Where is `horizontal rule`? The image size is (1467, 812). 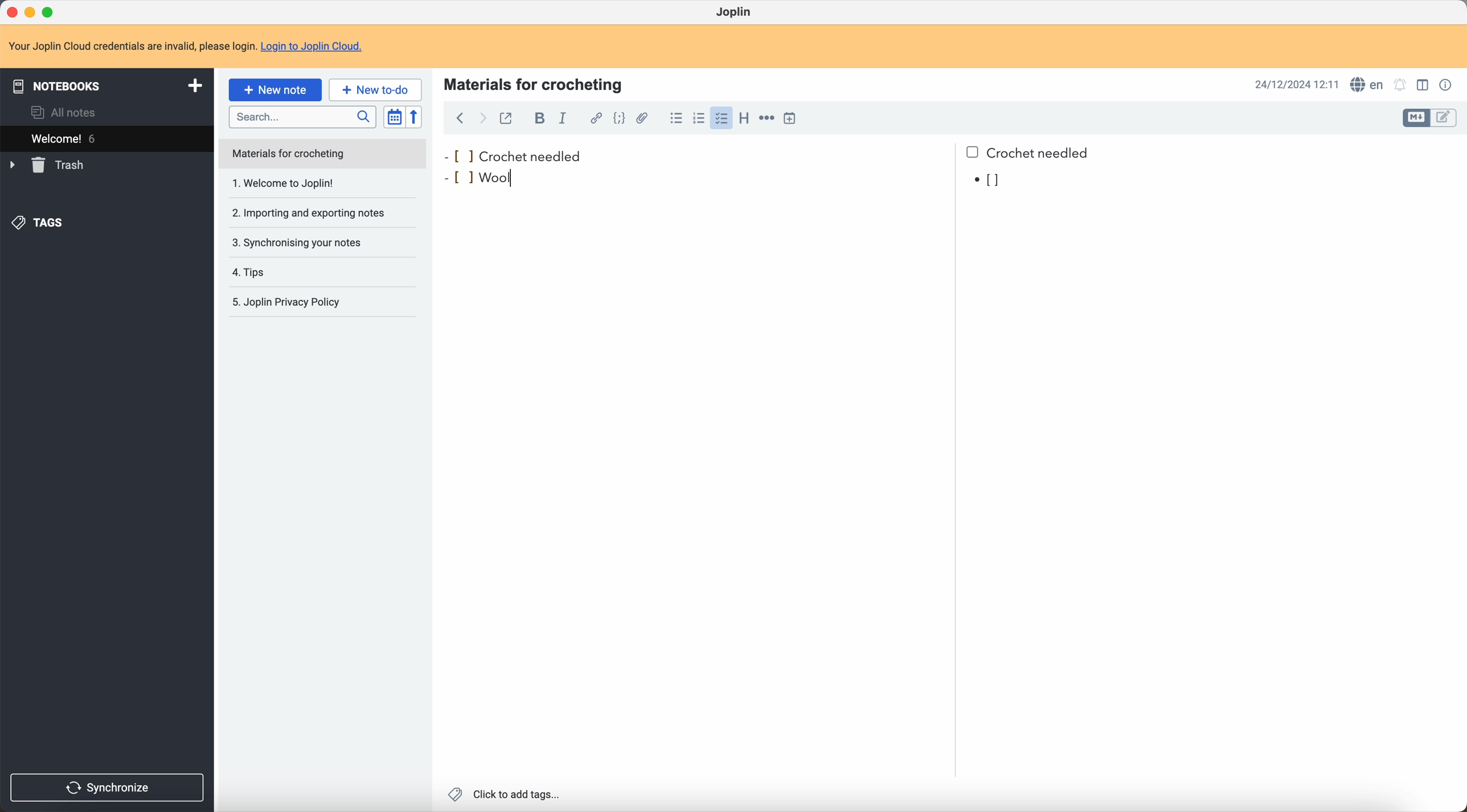 horizontal rule is located at coordinates (766, 120).